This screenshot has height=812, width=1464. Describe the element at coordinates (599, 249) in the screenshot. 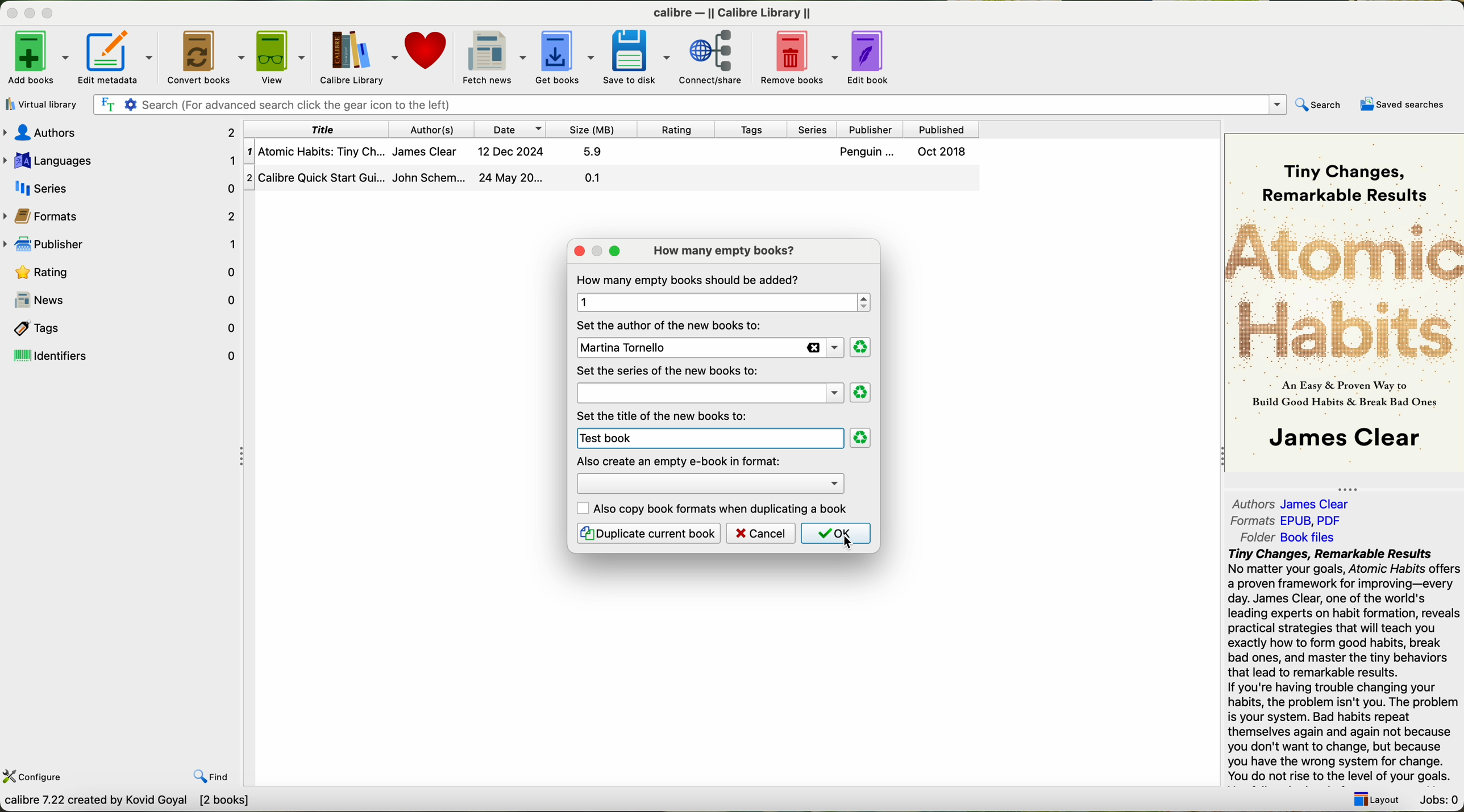

I see `maximize` at that location.